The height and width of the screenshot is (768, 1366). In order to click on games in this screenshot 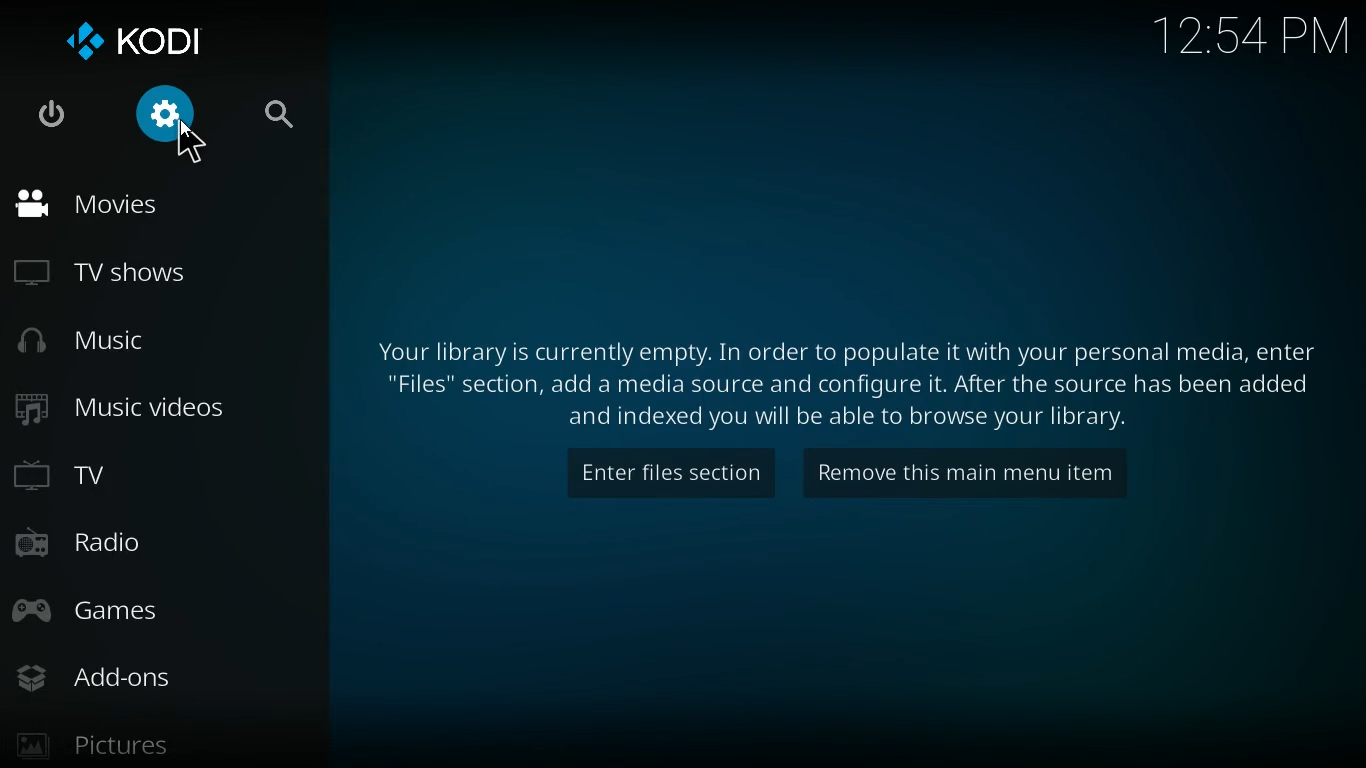, I will do `click(152, 615)`.